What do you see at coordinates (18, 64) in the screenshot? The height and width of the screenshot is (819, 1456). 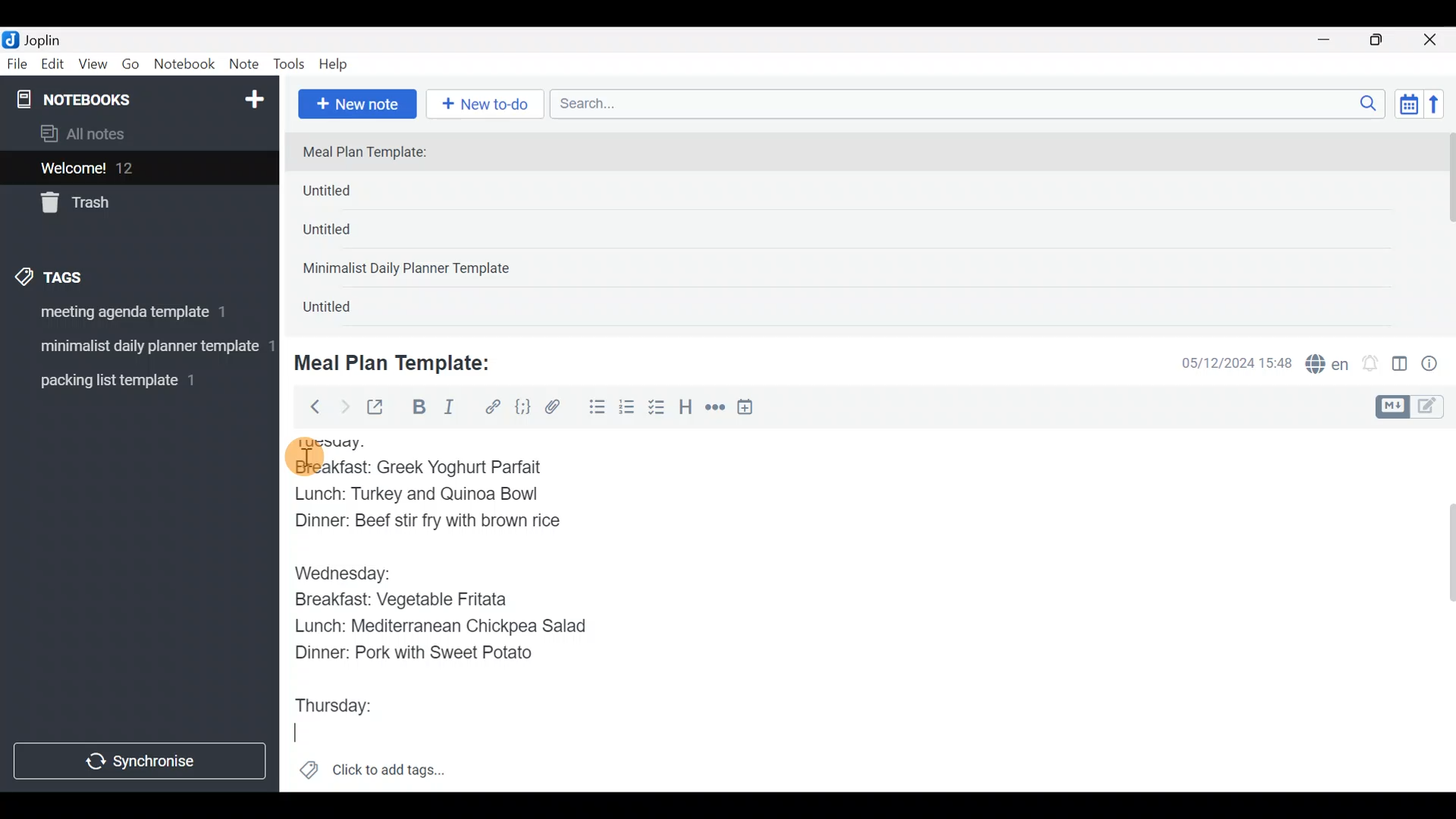 I see `File` at bounding box center [18, 64].